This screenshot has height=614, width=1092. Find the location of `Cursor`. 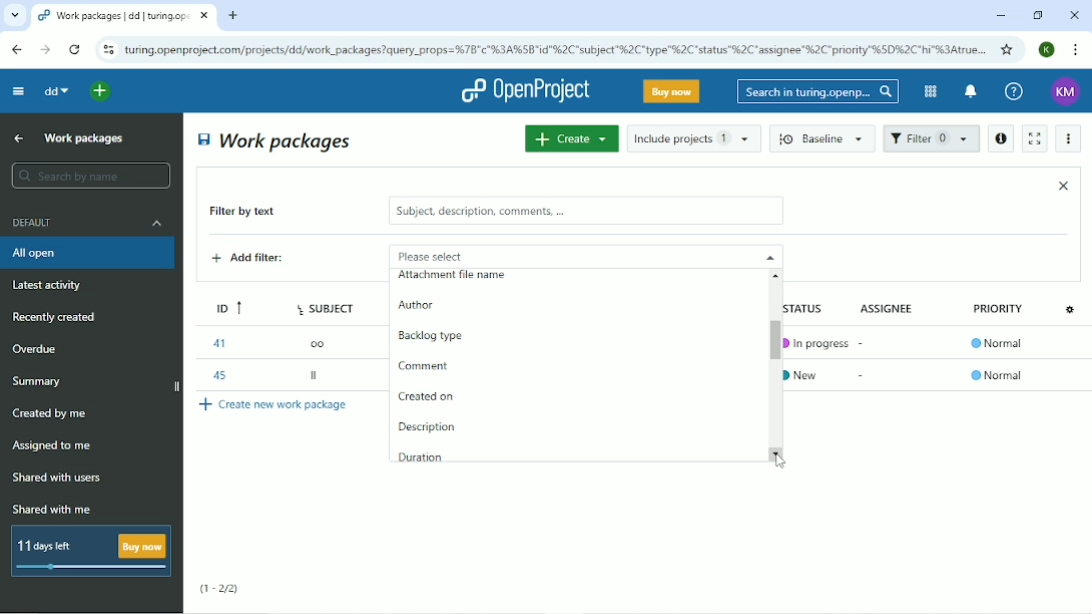

Cursor is located at coordinates (778, 461).